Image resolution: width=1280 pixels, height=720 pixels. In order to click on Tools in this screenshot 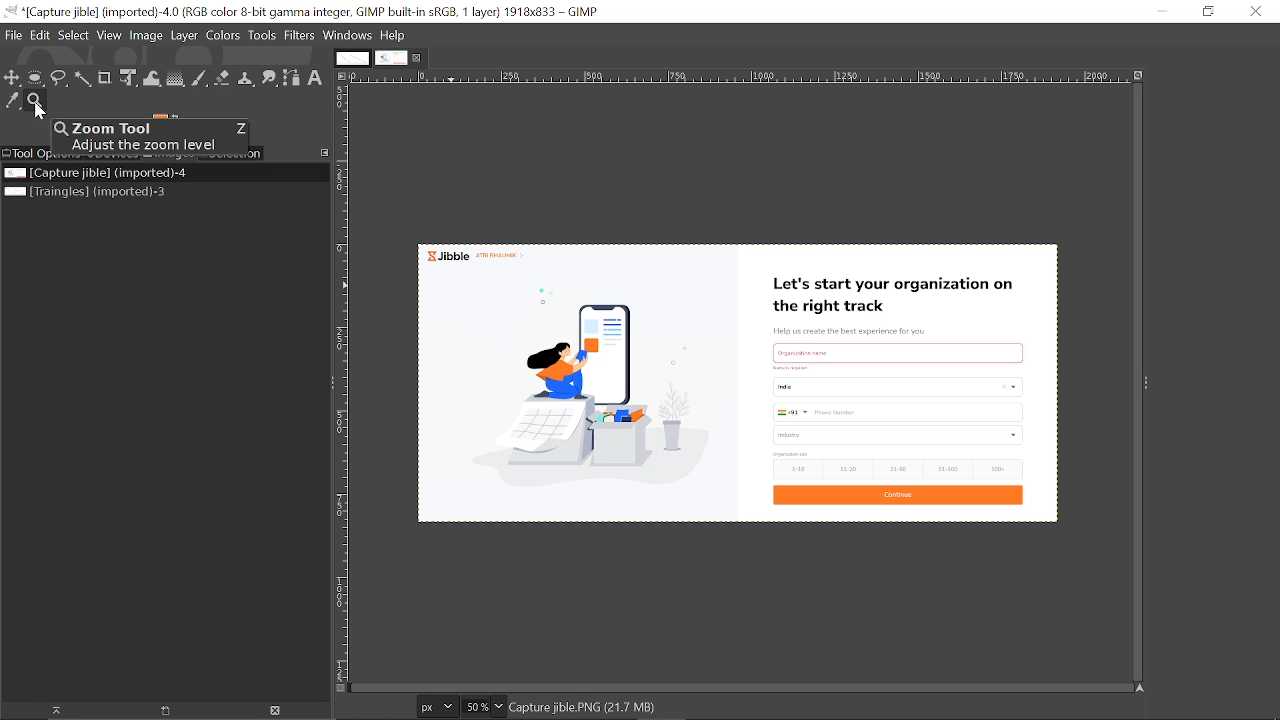, I will do `click(264, 36)`.